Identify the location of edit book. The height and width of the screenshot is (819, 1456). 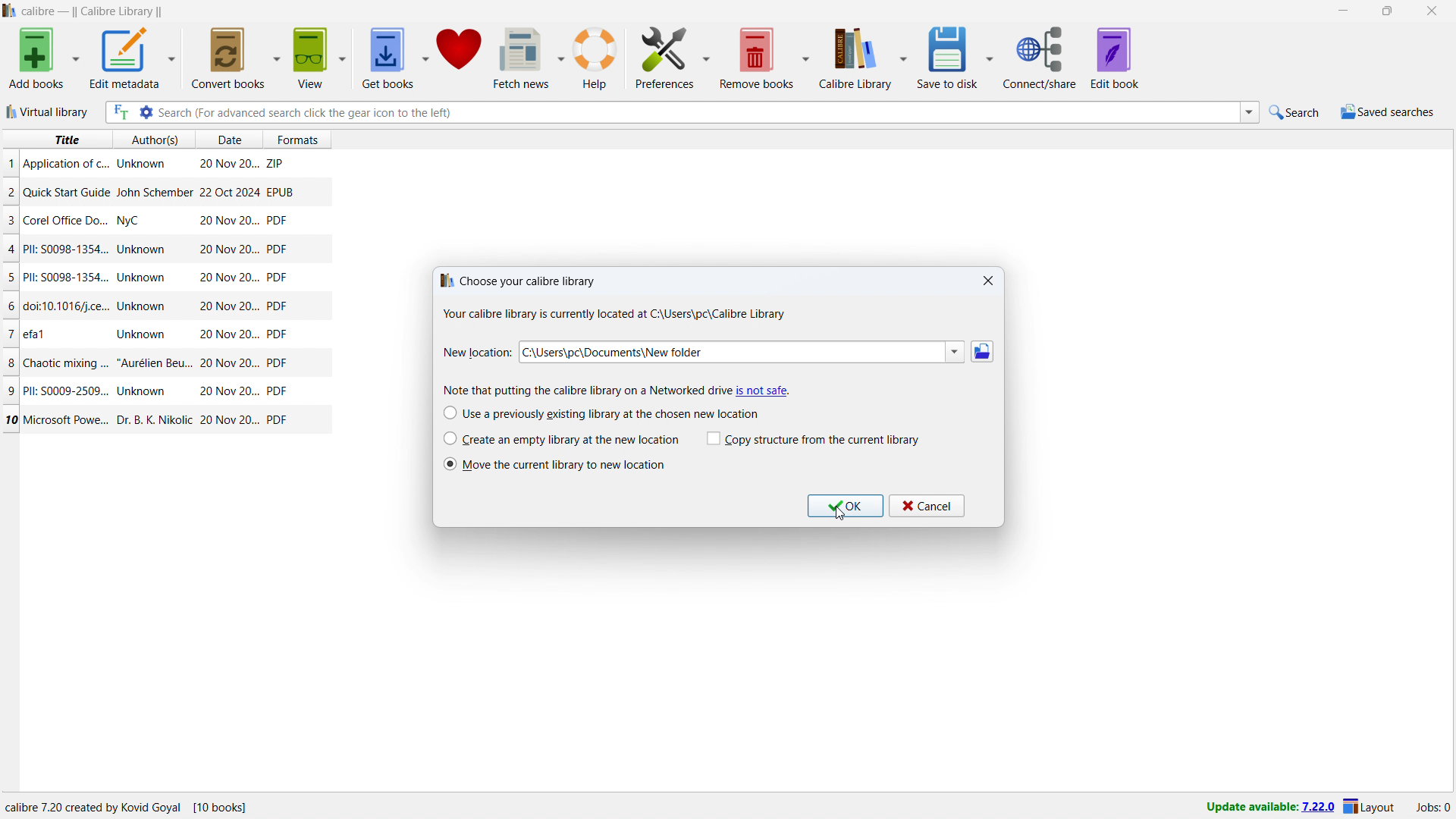
(1116, 58).